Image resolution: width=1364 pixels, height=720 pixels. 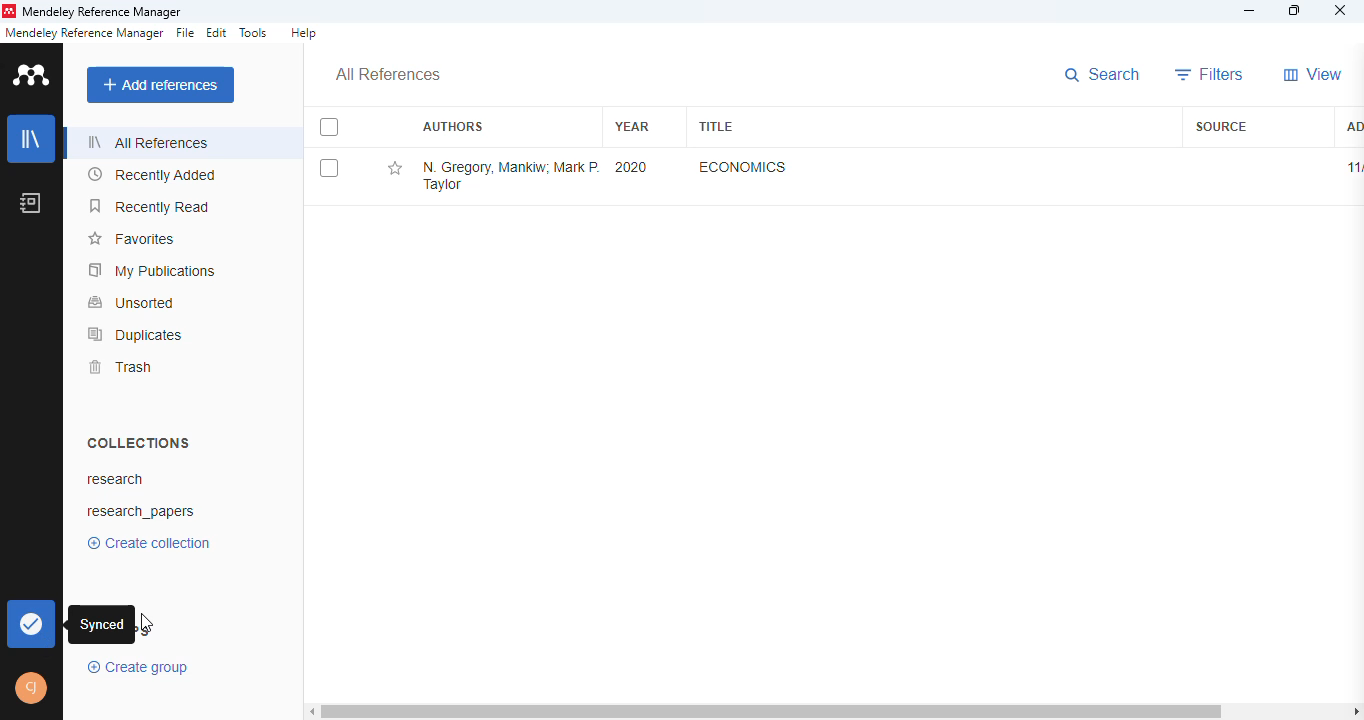 I want to click on close, so click(x=1340, y=11).